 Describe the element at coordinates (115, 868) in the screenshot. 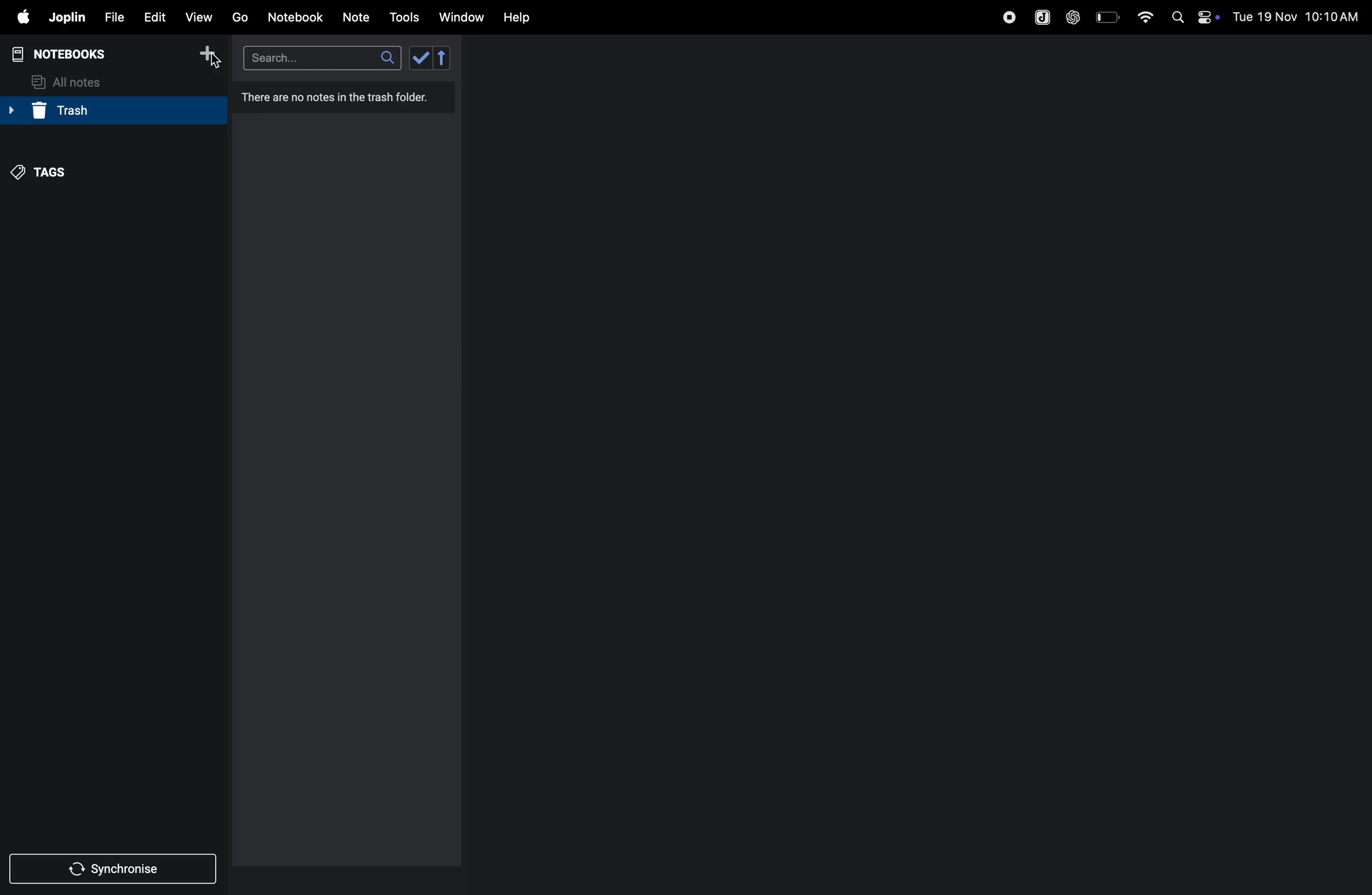

I see `synchronize` at that location.